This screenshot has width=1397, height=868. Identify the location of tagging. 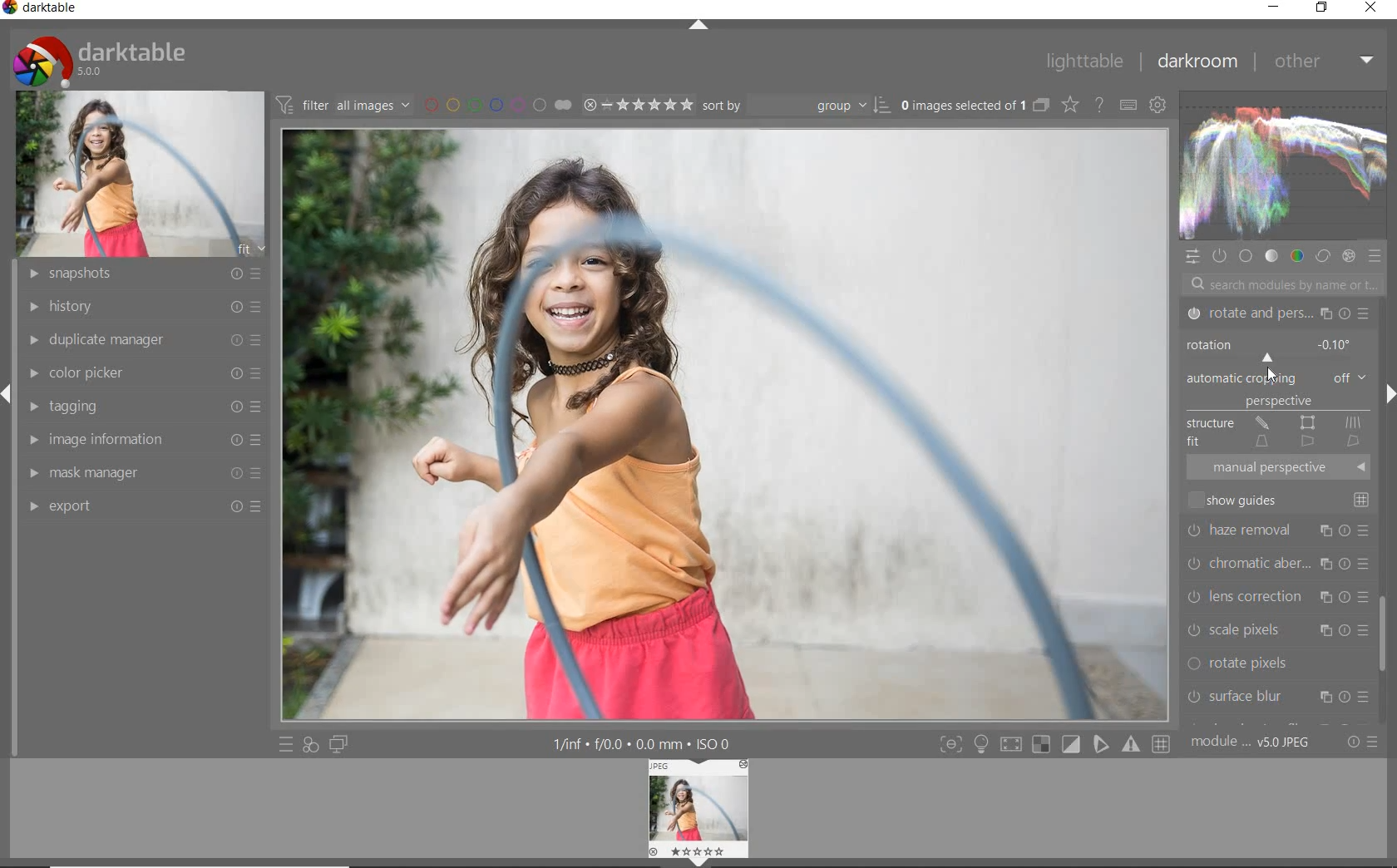
(144, 406).